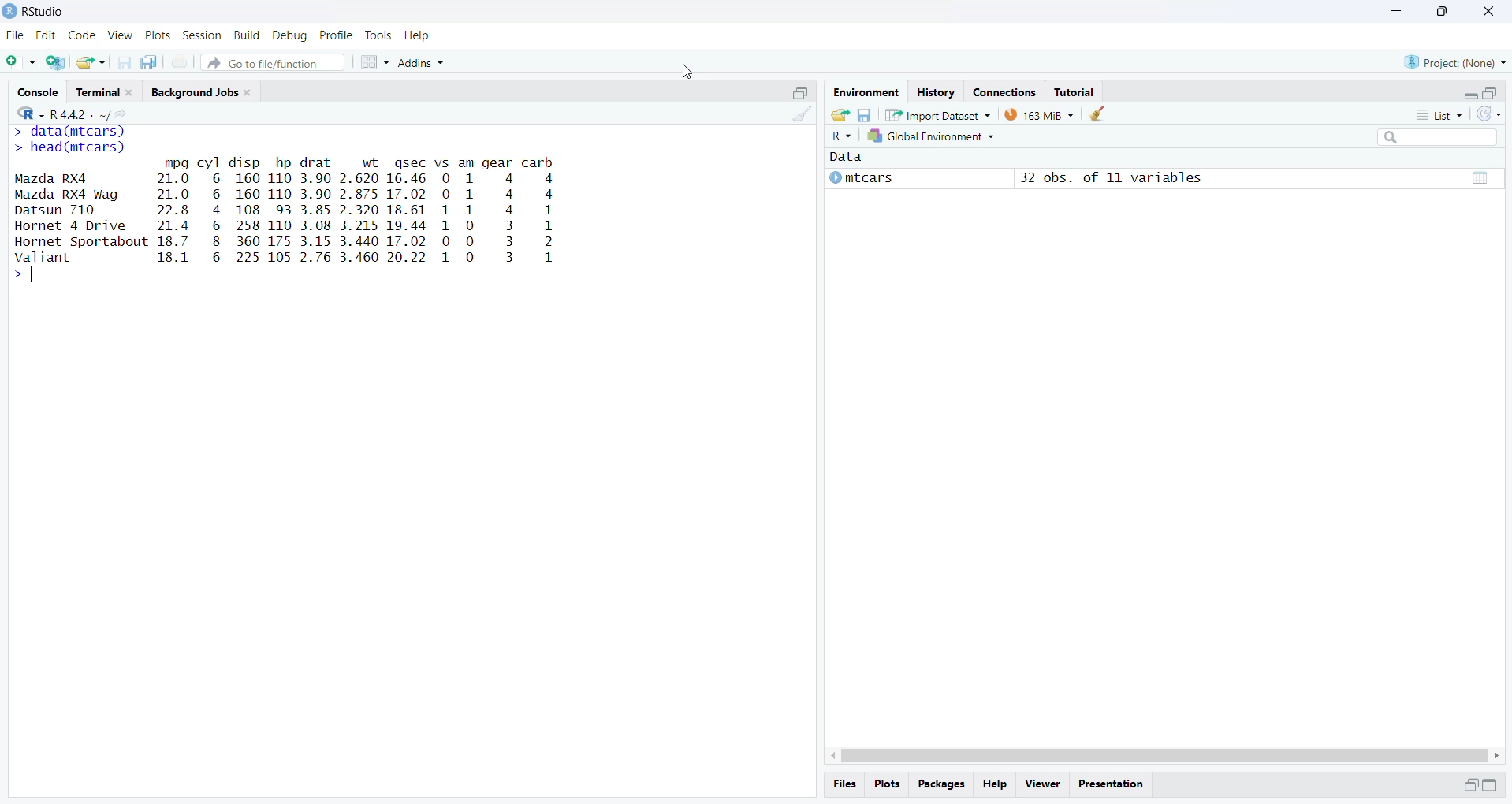  What do you see at coordinates (802, 93) in the screenshot?
I see `open in separate window` at bounding box center [802, 93].